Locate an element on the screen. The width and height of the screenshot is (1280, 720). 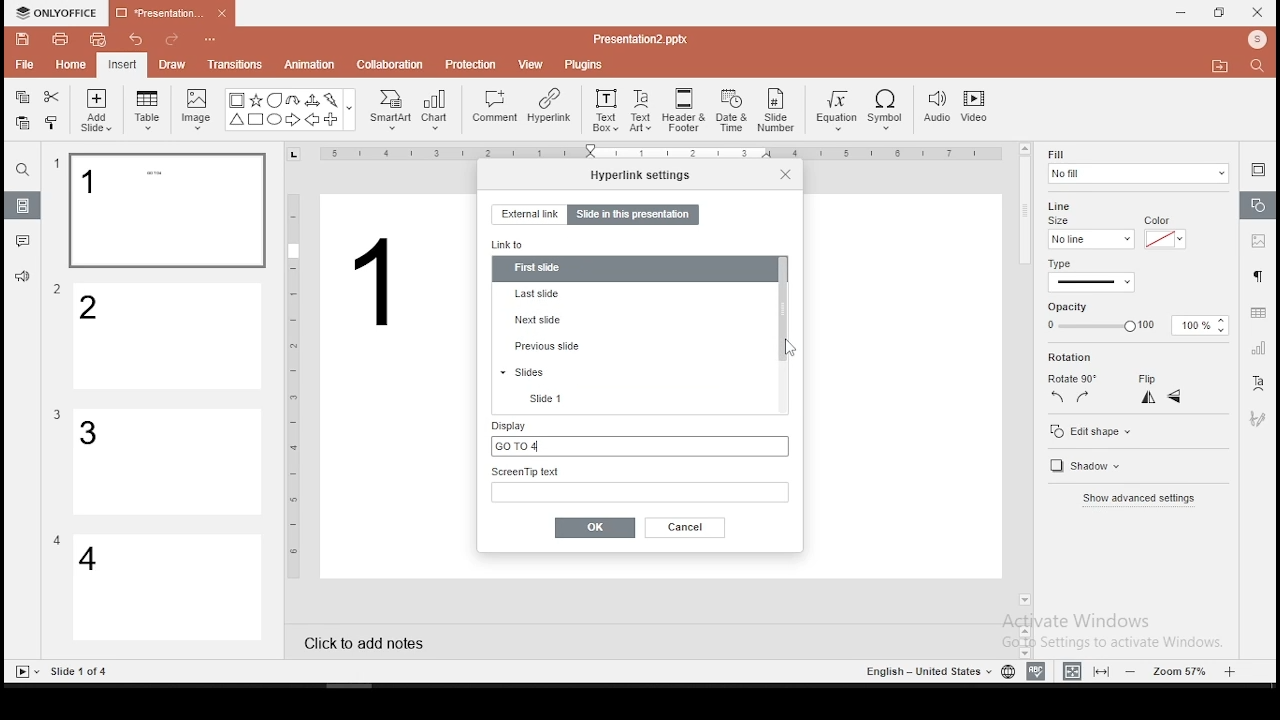
Bubble is located at coordinates (274, 100).